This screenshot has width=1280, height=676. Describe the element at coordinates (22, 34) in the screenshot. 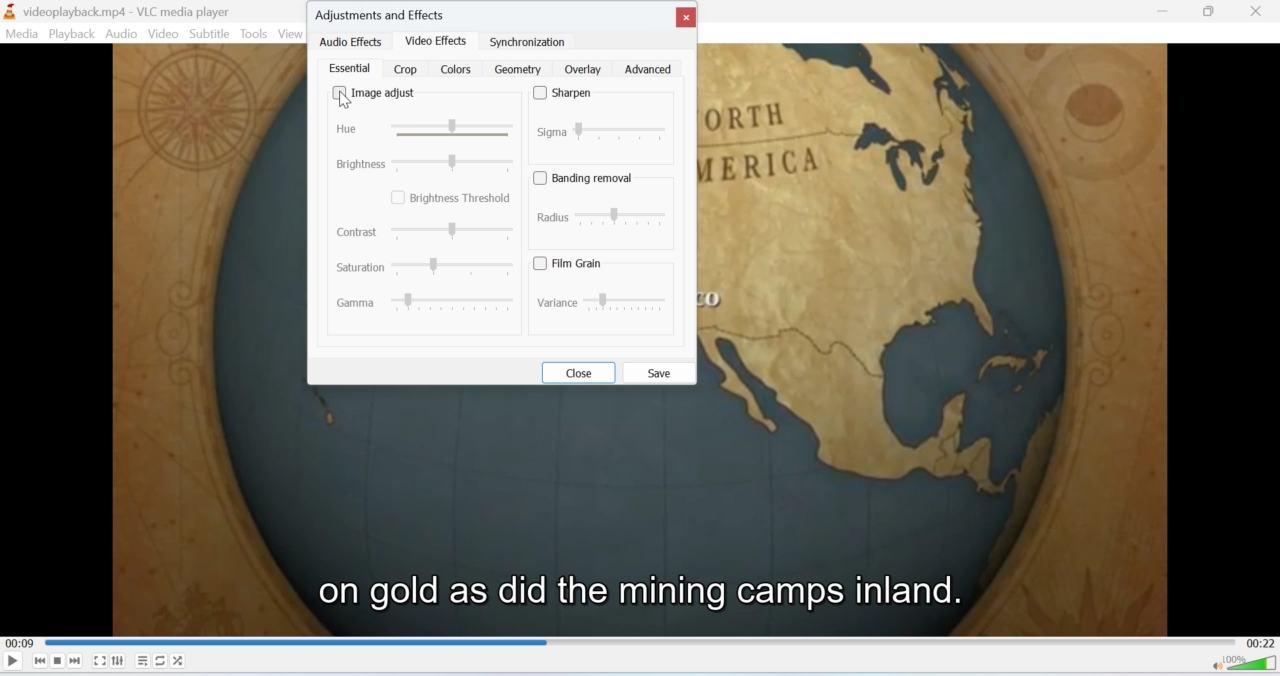

I see `Media` at that location.